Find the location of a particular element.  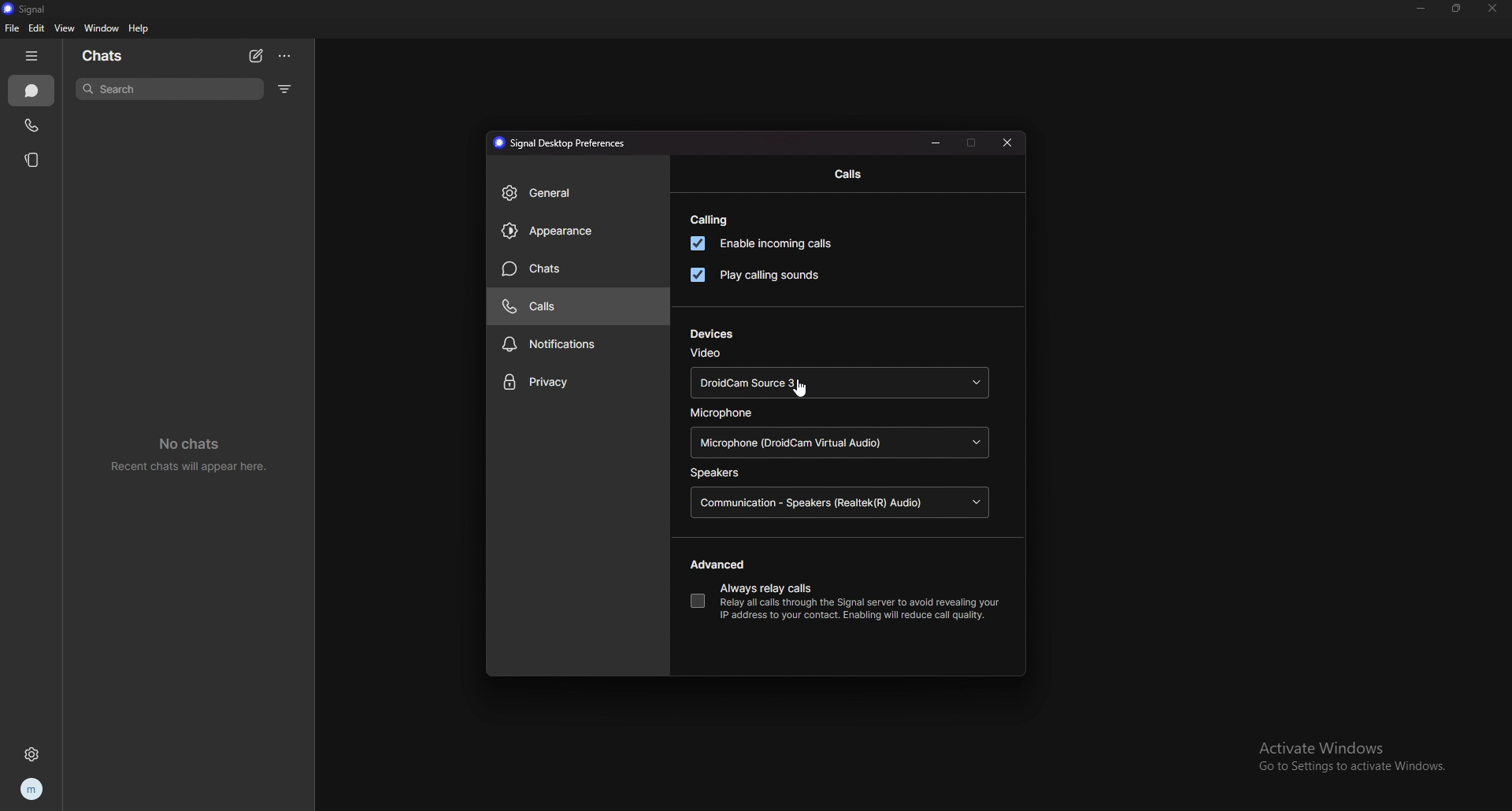

minimize is located at coordinates (1422, 9).